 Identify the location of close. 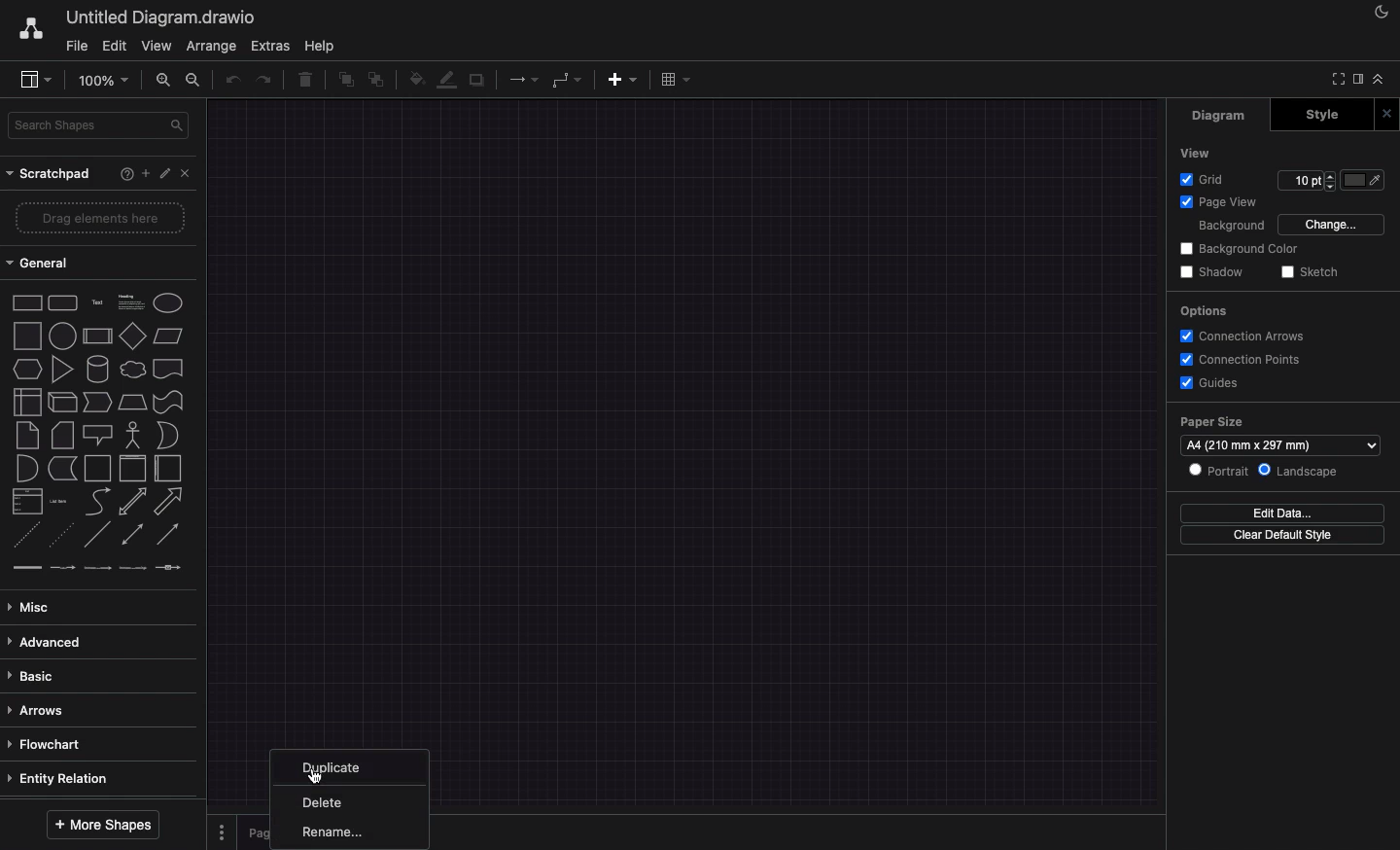
(186, 172).